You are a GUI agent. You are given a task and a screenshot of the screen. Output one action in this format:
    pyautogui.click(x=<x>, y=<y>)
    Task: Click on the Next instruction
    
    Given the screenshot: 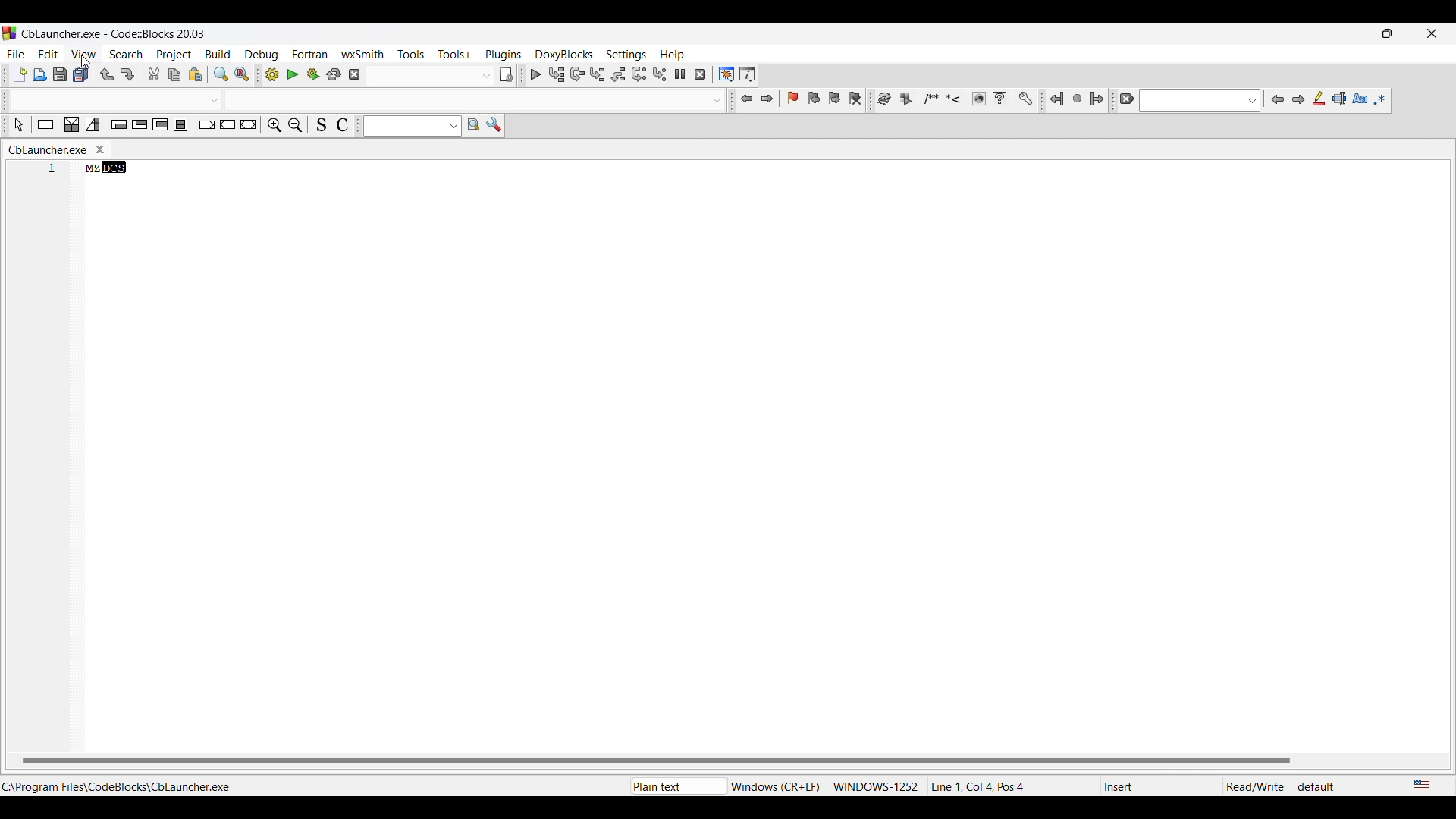 What is the action you would take?
    pyautogui.click(x=639, y=74)
    